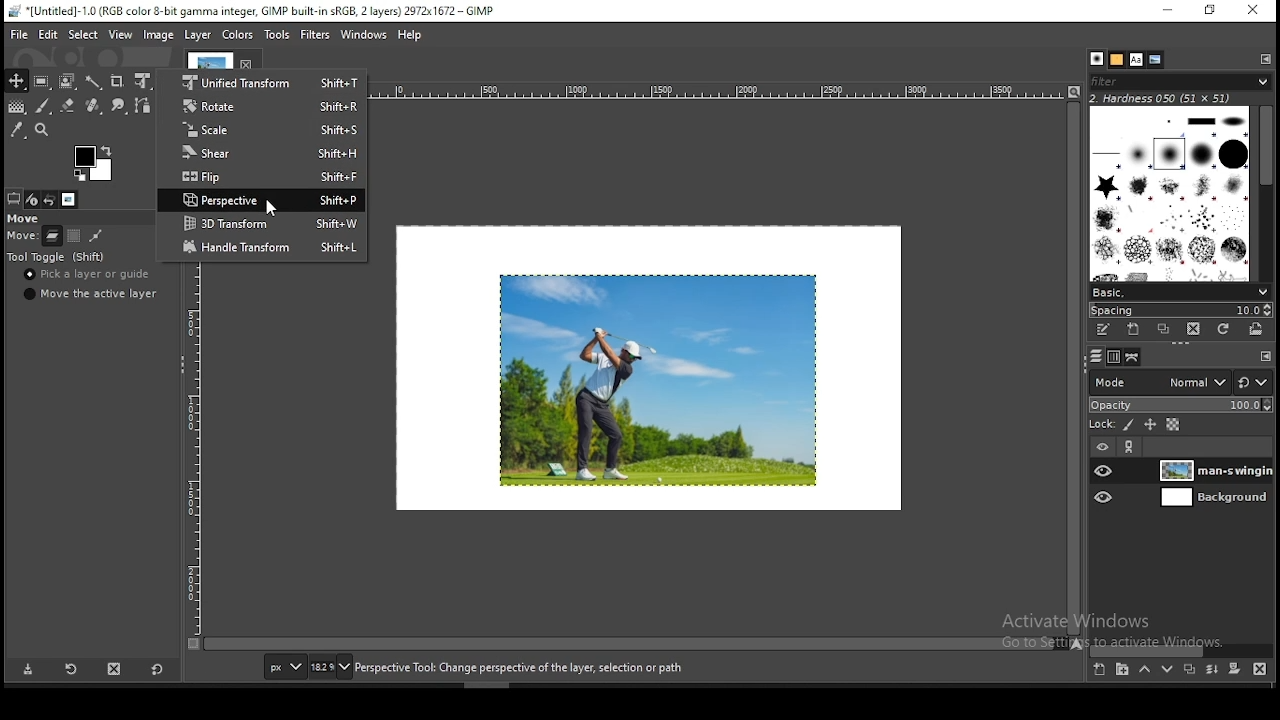  What do you see at coordinates (1180, 81) in the screenshot?
I see `brushes filter` at bounding box center [1180, 81].